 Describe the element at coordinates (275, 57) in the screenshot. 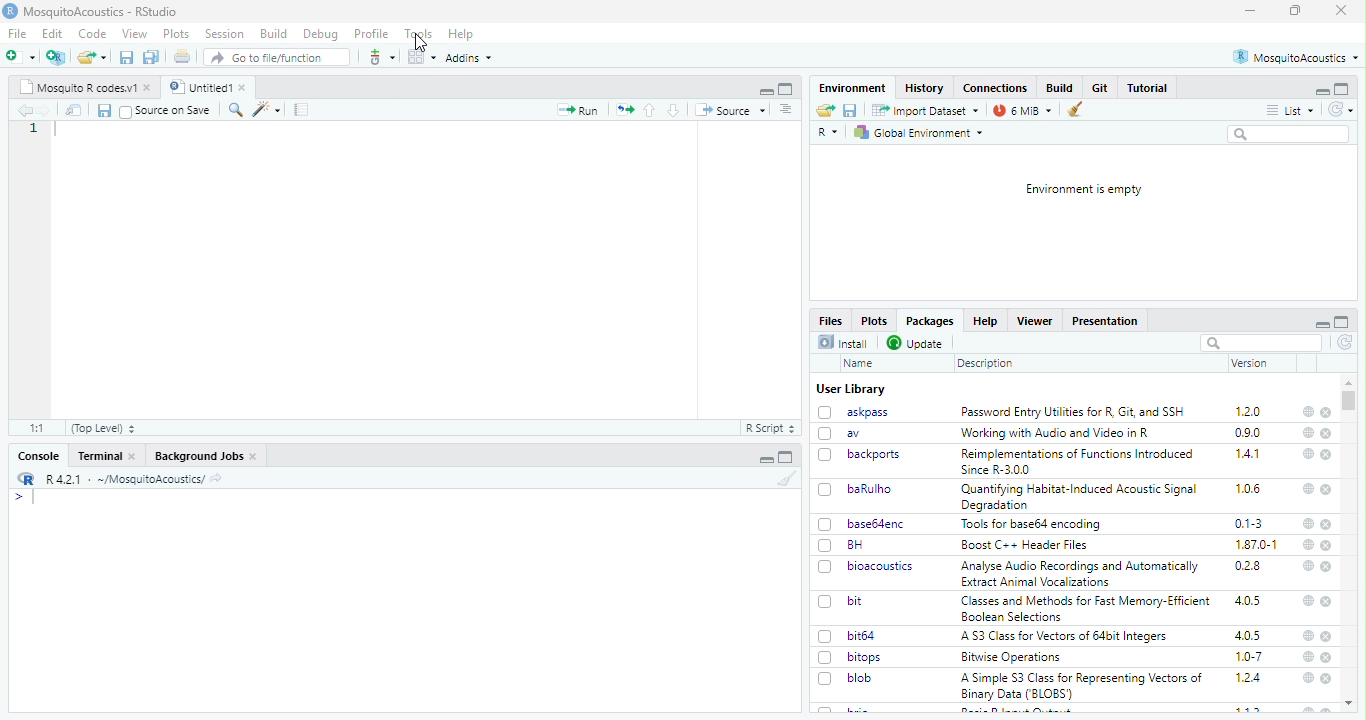

I see `Go to file/function` at that location.